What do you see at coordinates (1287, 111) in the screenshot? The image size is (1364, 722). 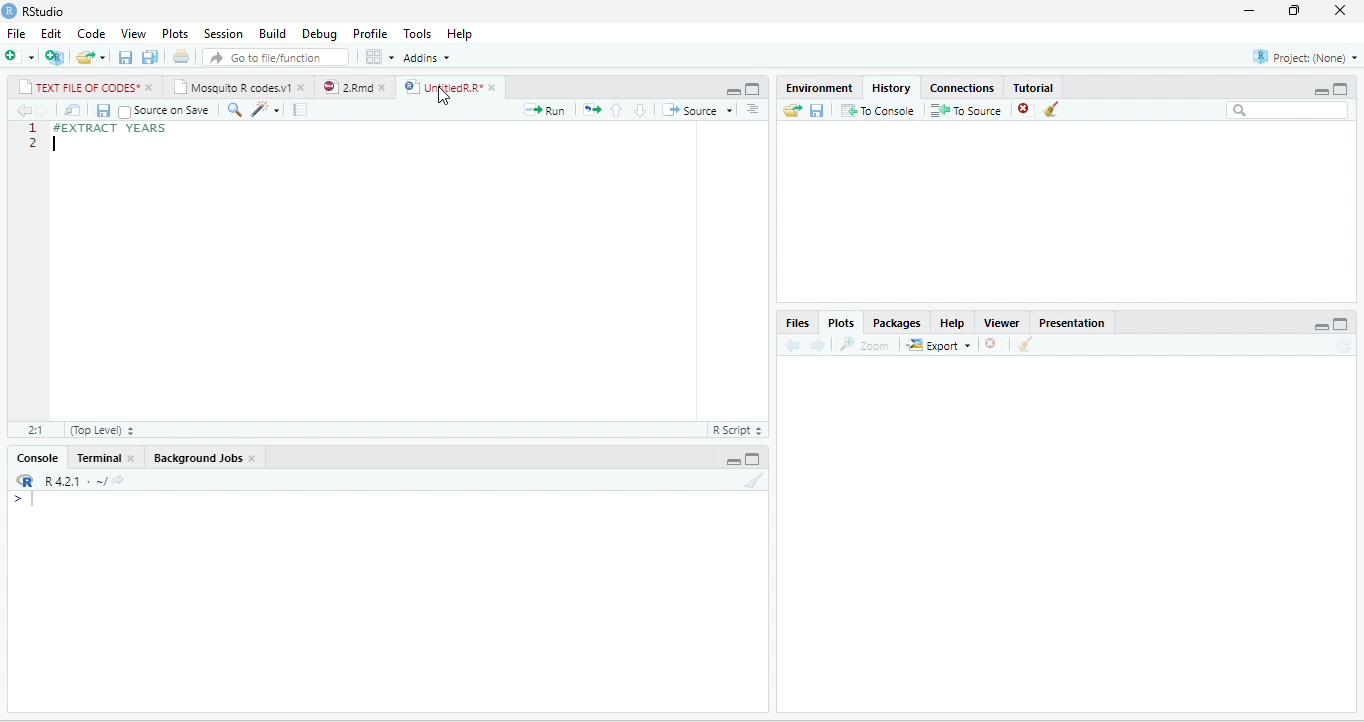 I see `search bar` at bounding box center [1287, 111].